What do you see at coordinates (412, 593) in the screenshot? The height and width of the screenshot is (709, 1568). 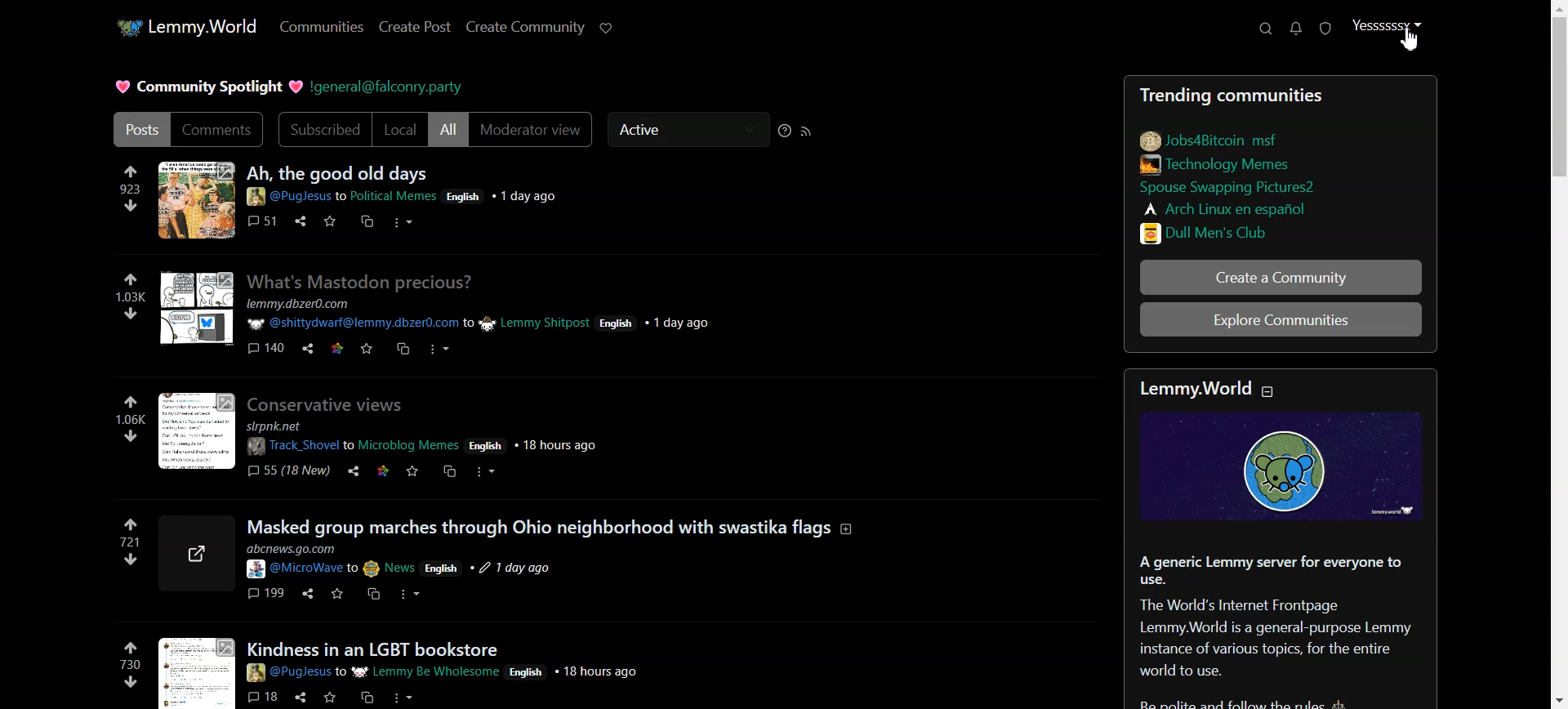 I see `more` at bounding box center [412, 593].